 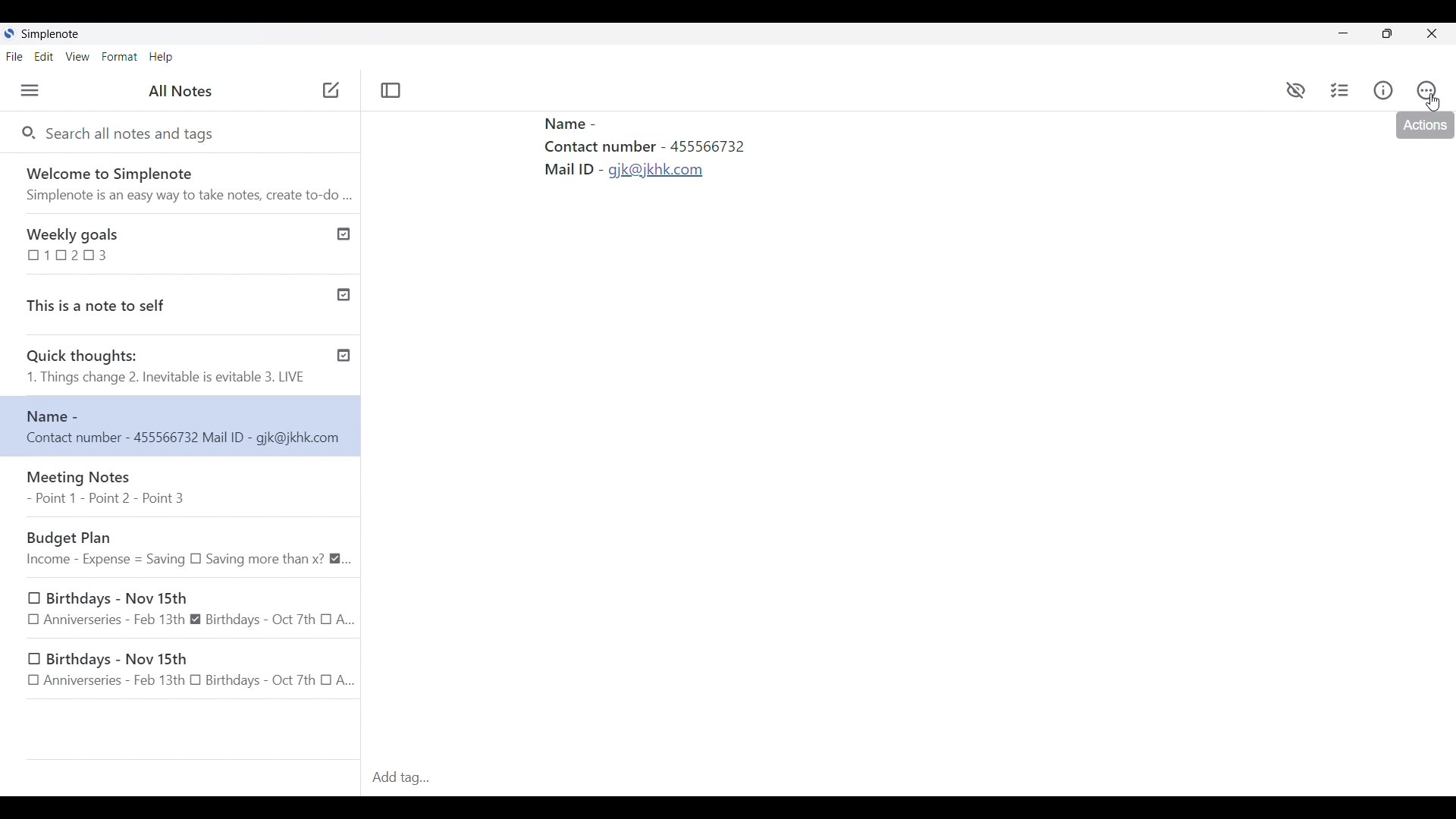 What do you see at coordinates (119, 57) in the screenshot?
I see `Format menu` at bounding box center [119, 57].